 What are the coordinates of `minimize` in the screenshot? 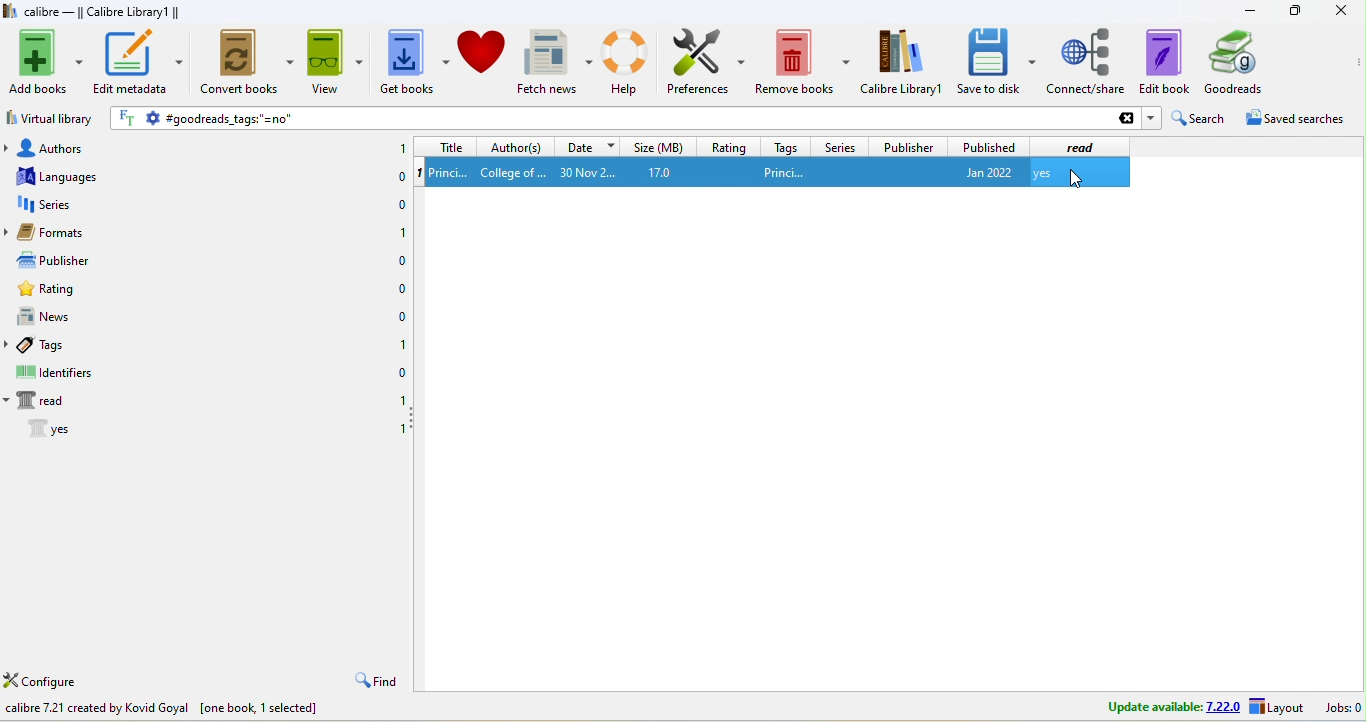 It's located at (1248, 11).